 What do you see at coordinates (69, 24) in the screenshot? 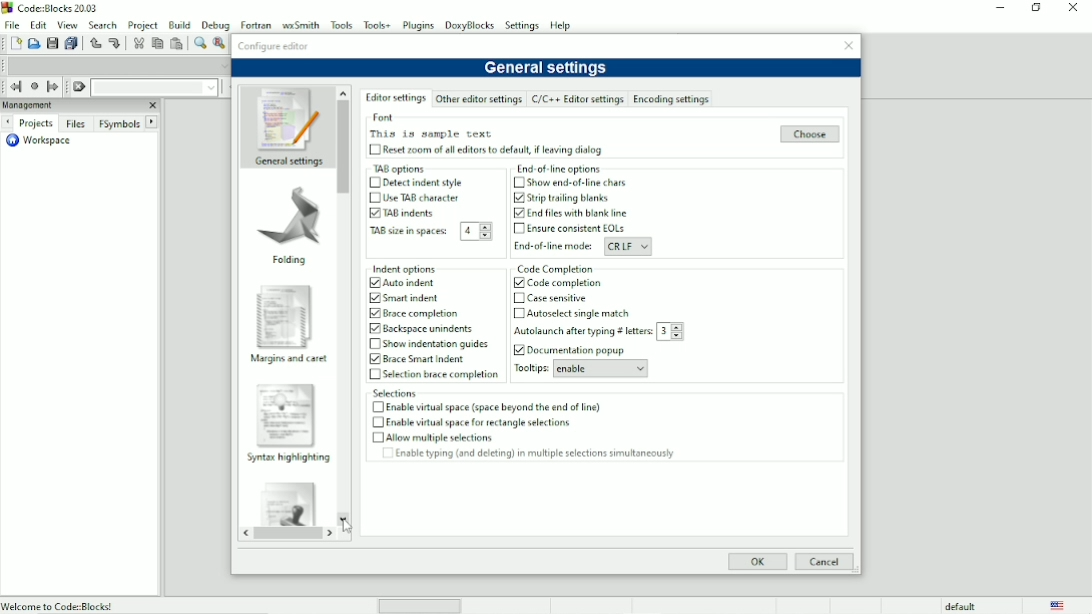
I see `View` at bounding box center [69, 24].